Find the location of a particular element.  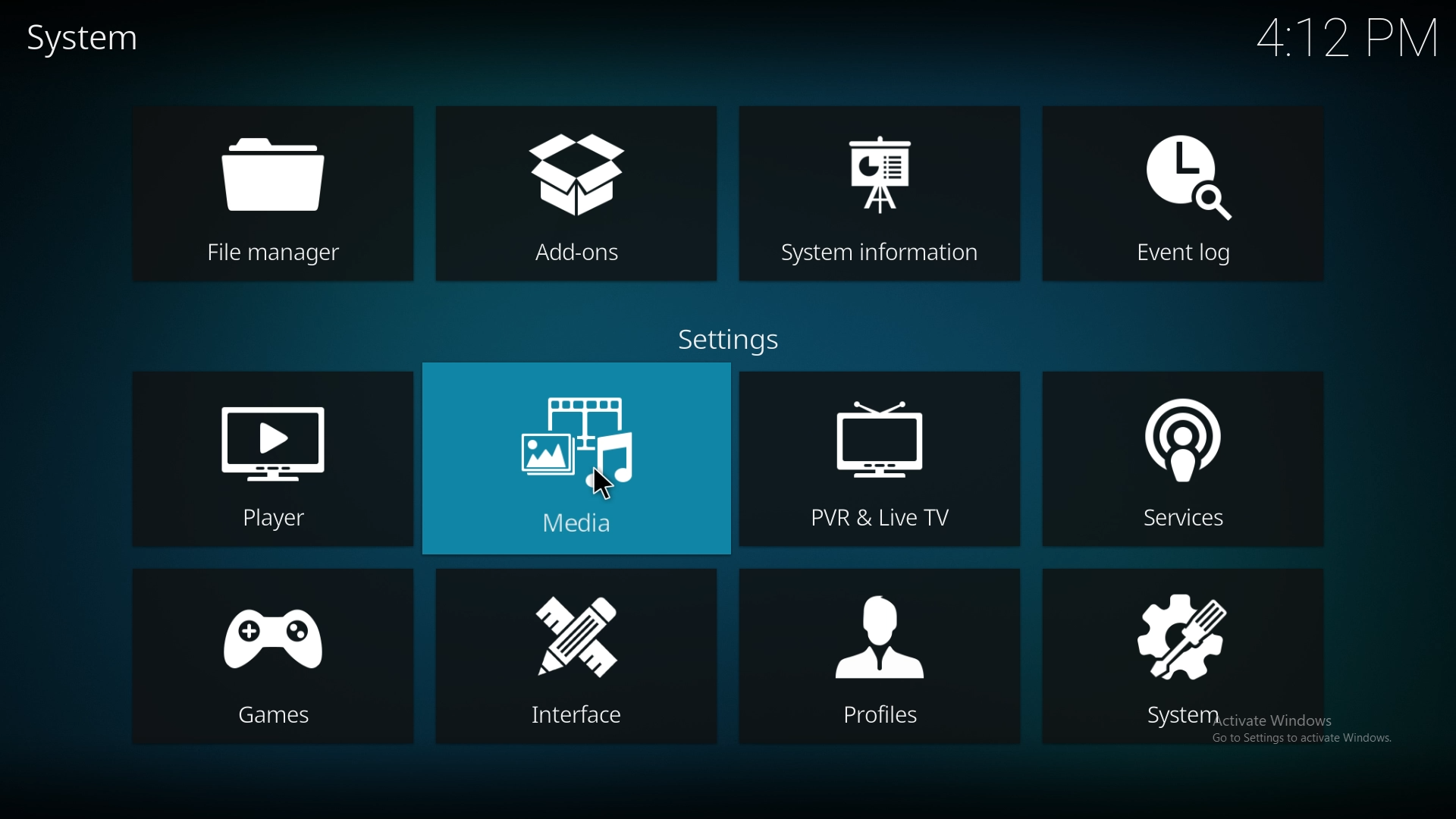

settings is located at coordinates (729, 340).